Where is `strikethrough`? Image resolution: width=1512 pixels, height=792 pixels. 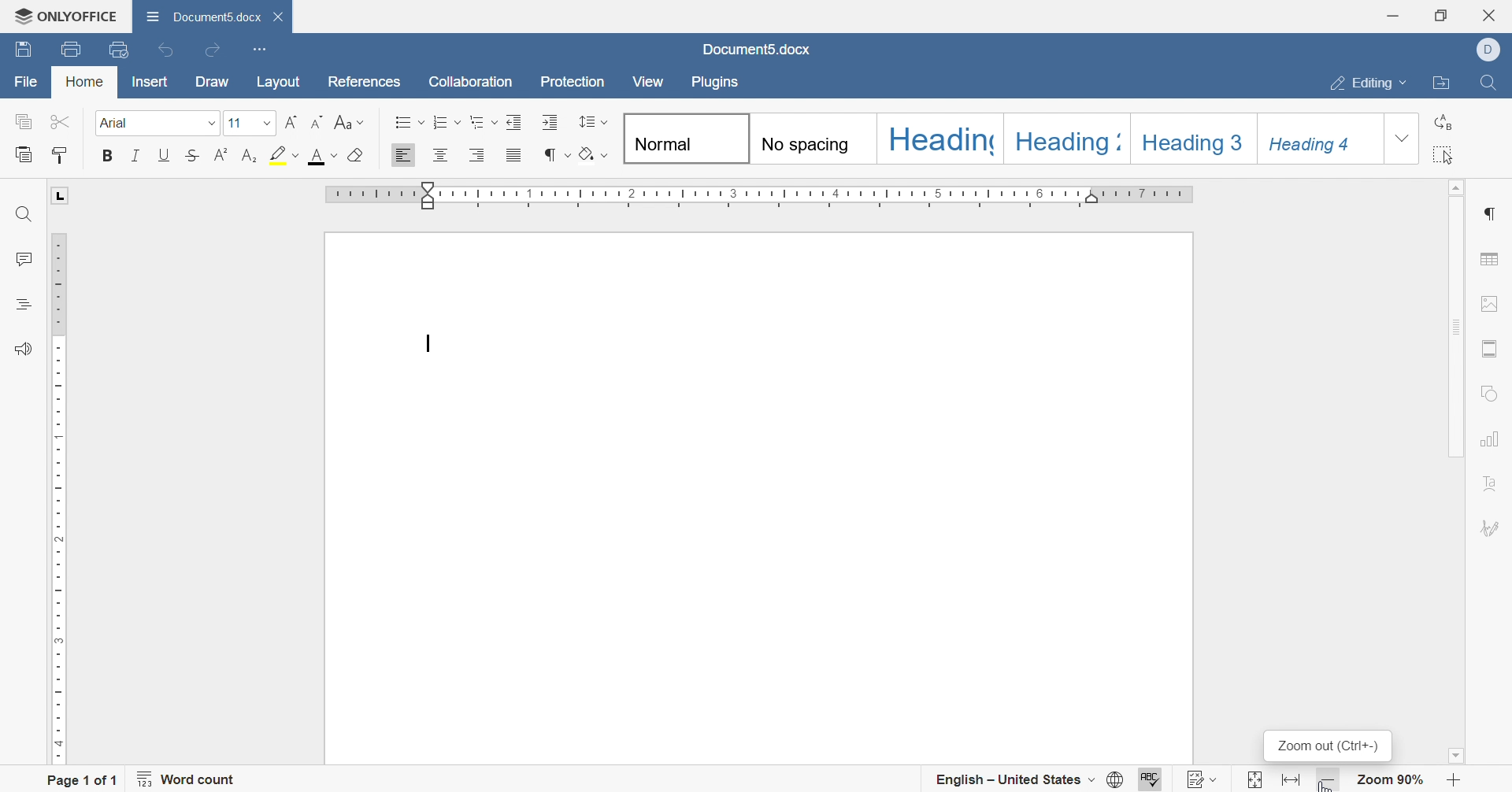
strikethrough is located at coordinates (191, 155).